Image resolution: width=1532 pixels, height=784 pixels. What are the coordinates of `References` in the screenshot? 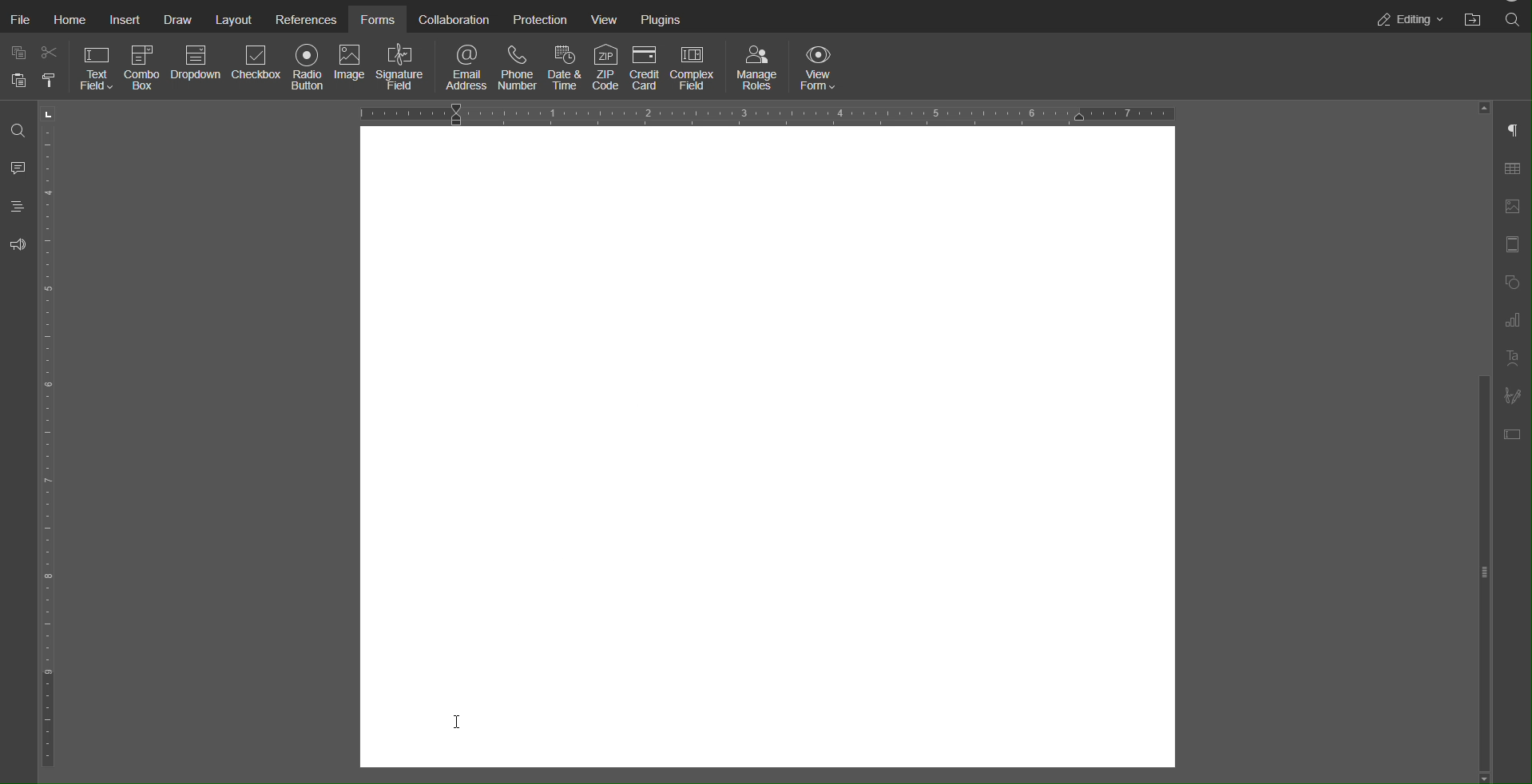 It's located at (304, 18).